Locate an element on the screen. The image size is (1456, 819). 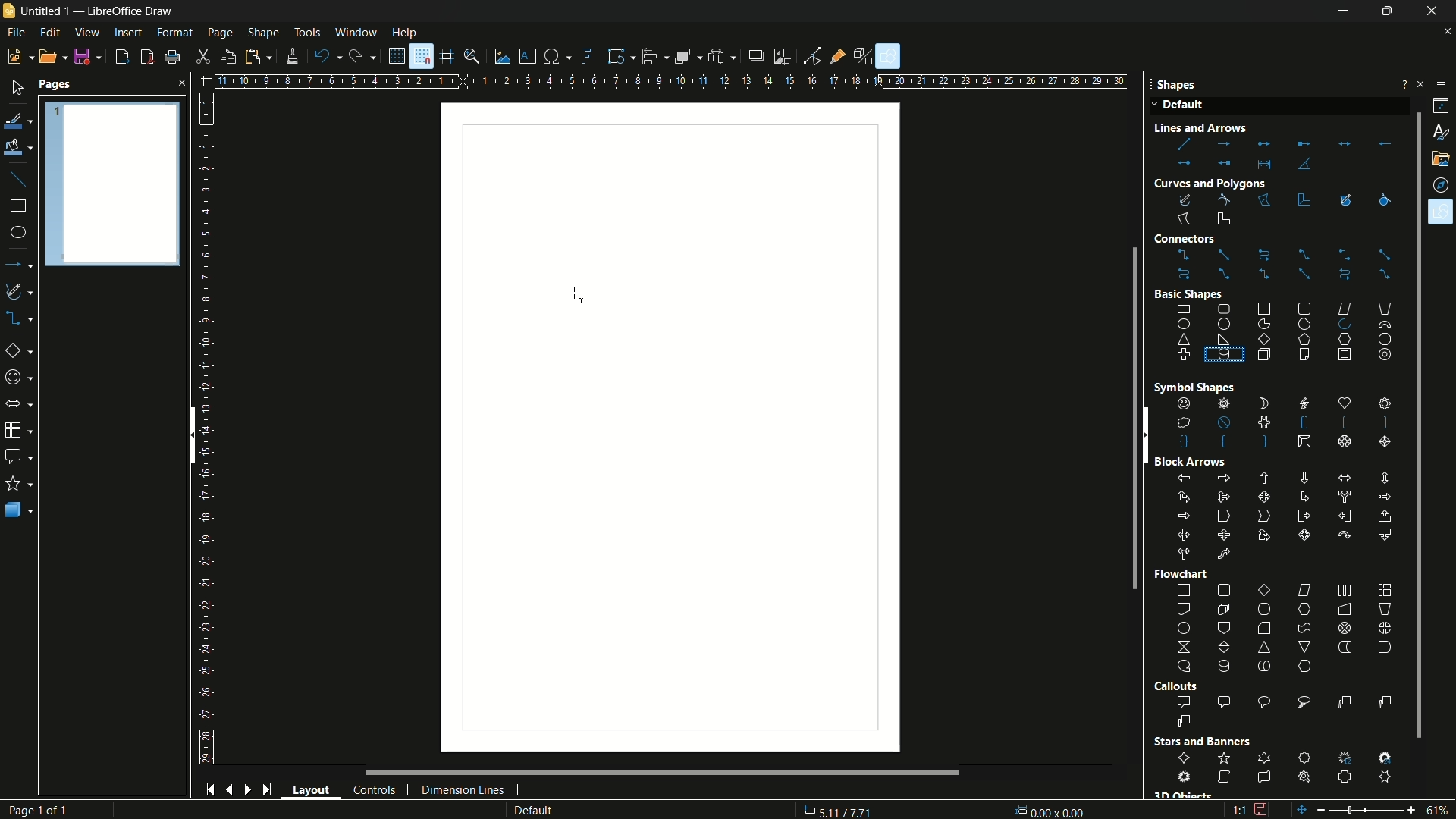
close is located at coordinates (178, 83).